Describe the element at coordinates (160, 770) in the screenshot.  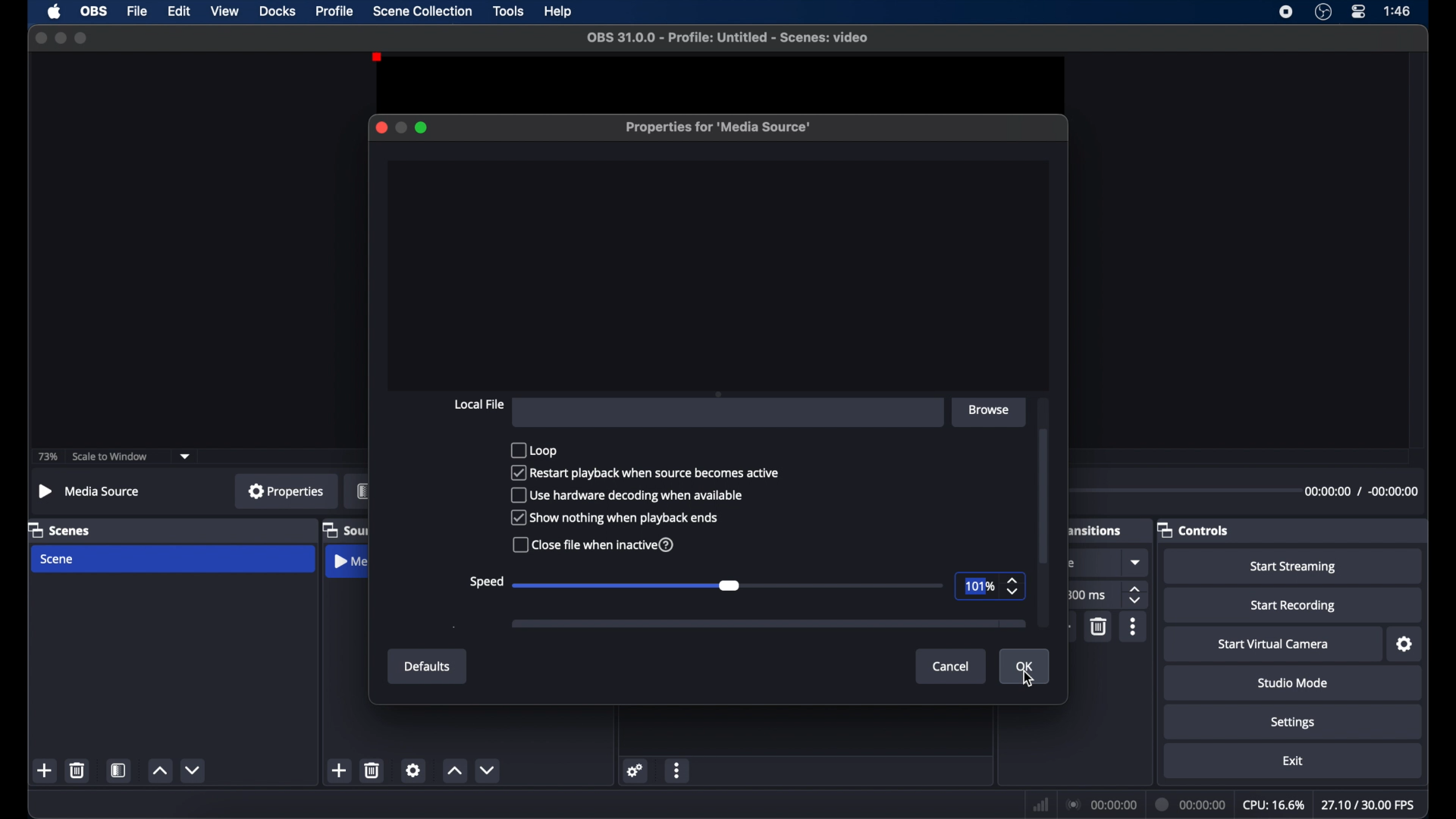
I see `increment` at that location.